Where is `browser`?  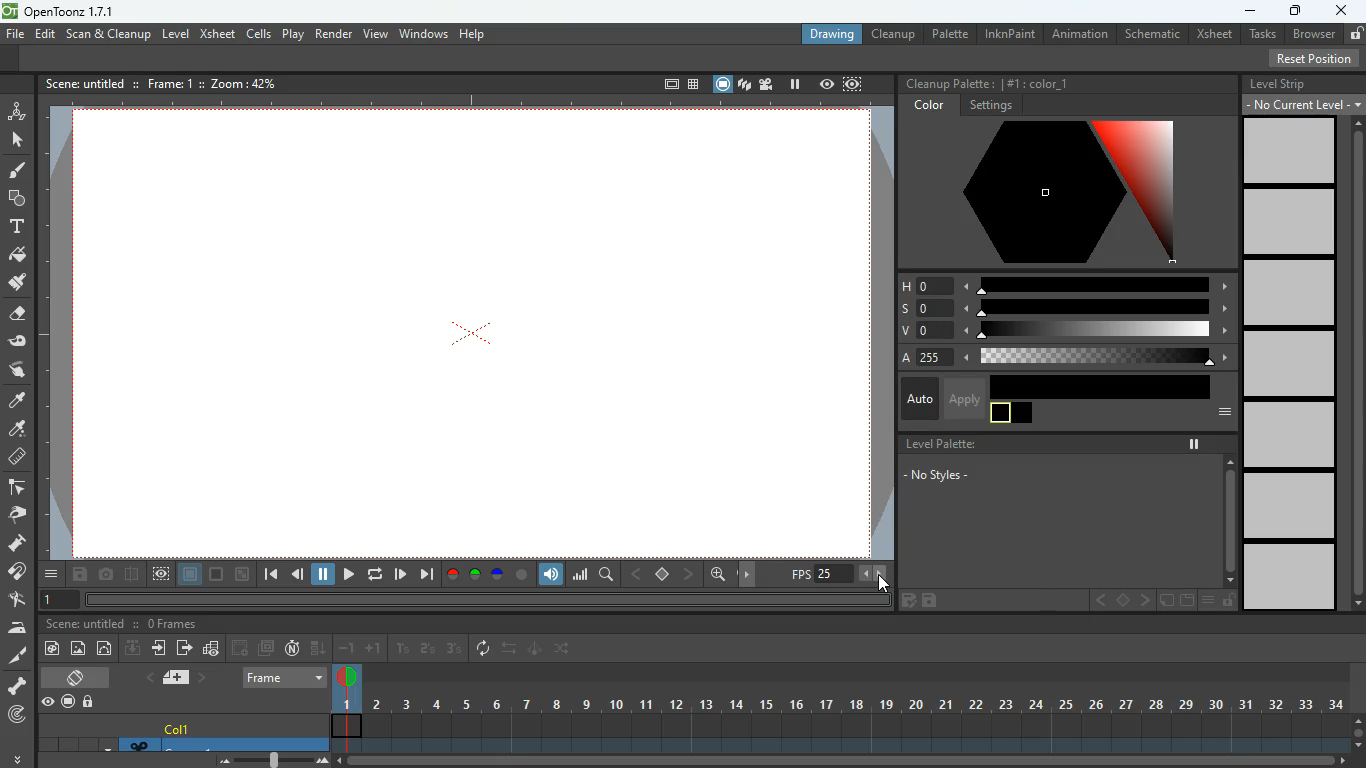 browser is located at coordinates (1314, 35).